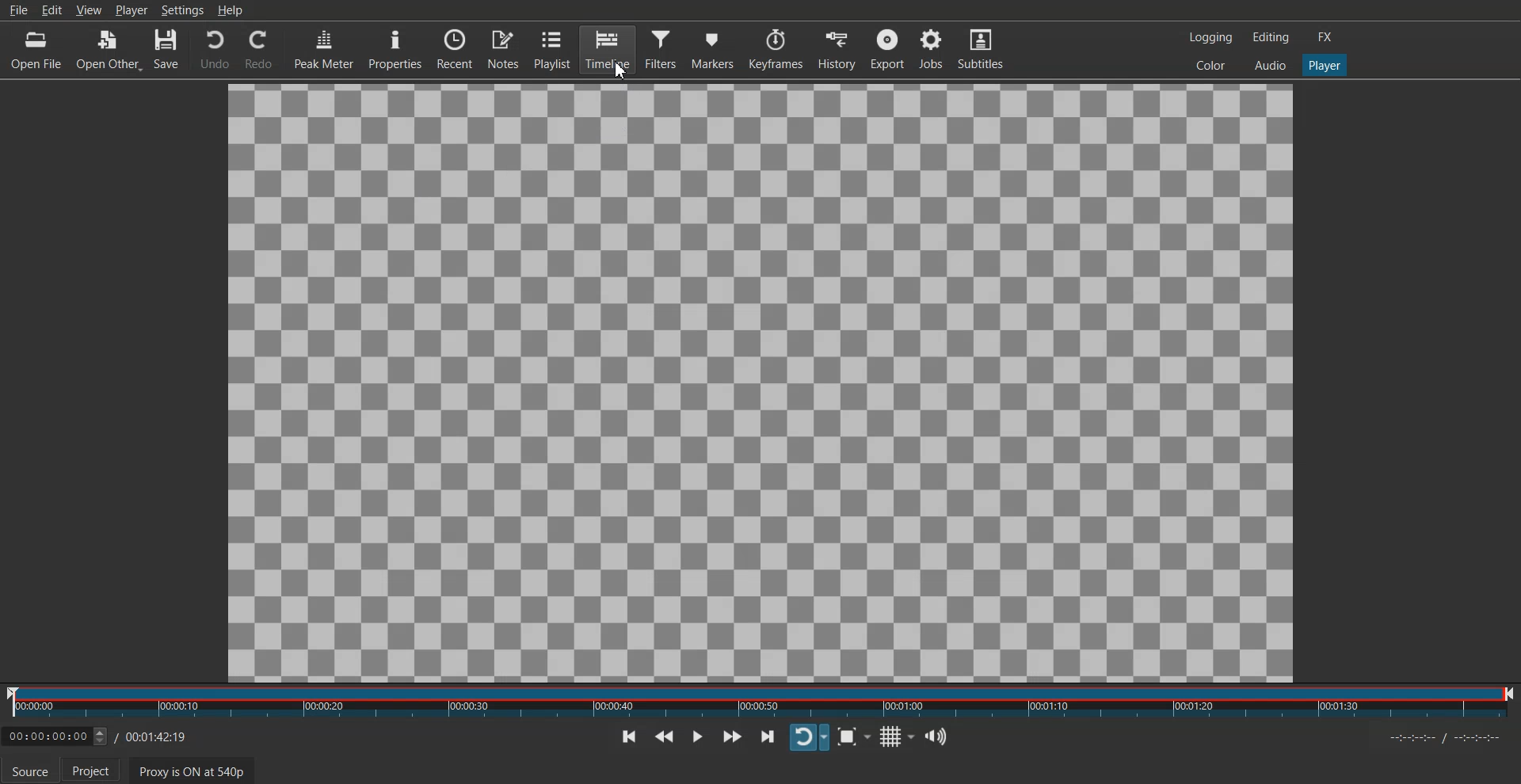 The image size is (1521, 784). What do you see at coordinates (713, 48) in the screenshot?
I see `Markers` at bounding box center [713, 48].